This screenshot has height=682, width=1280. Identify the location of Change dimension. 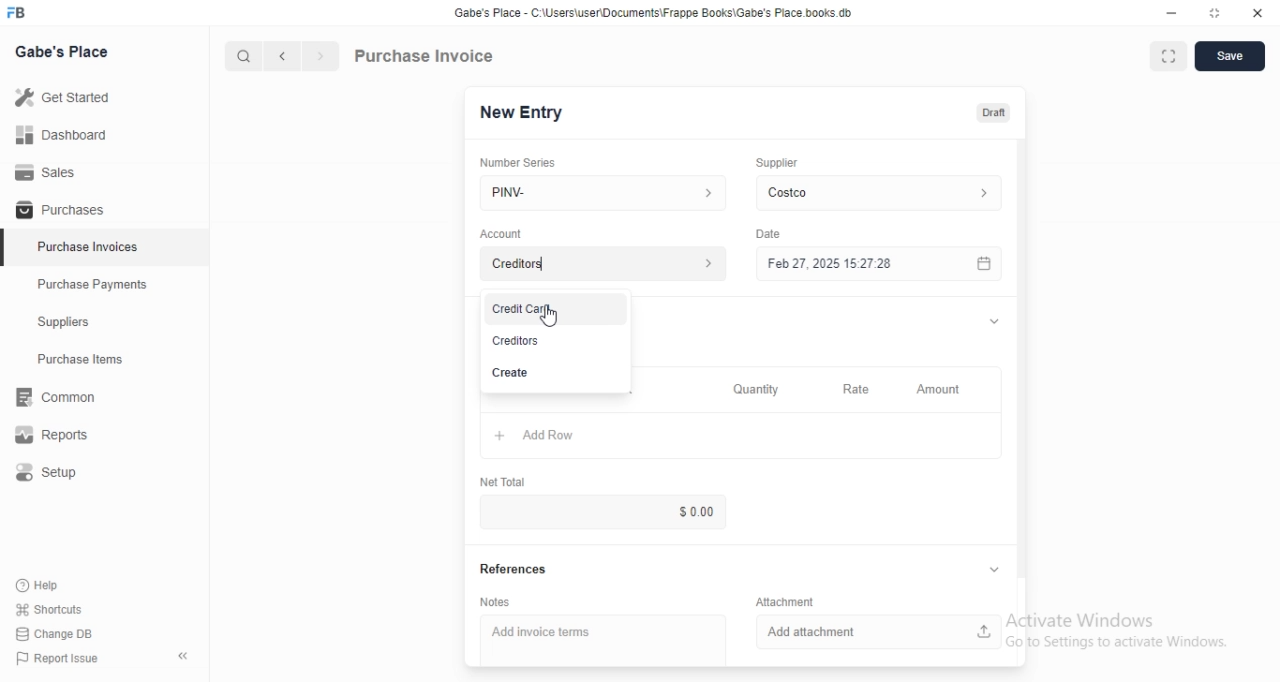
(1215, 13).